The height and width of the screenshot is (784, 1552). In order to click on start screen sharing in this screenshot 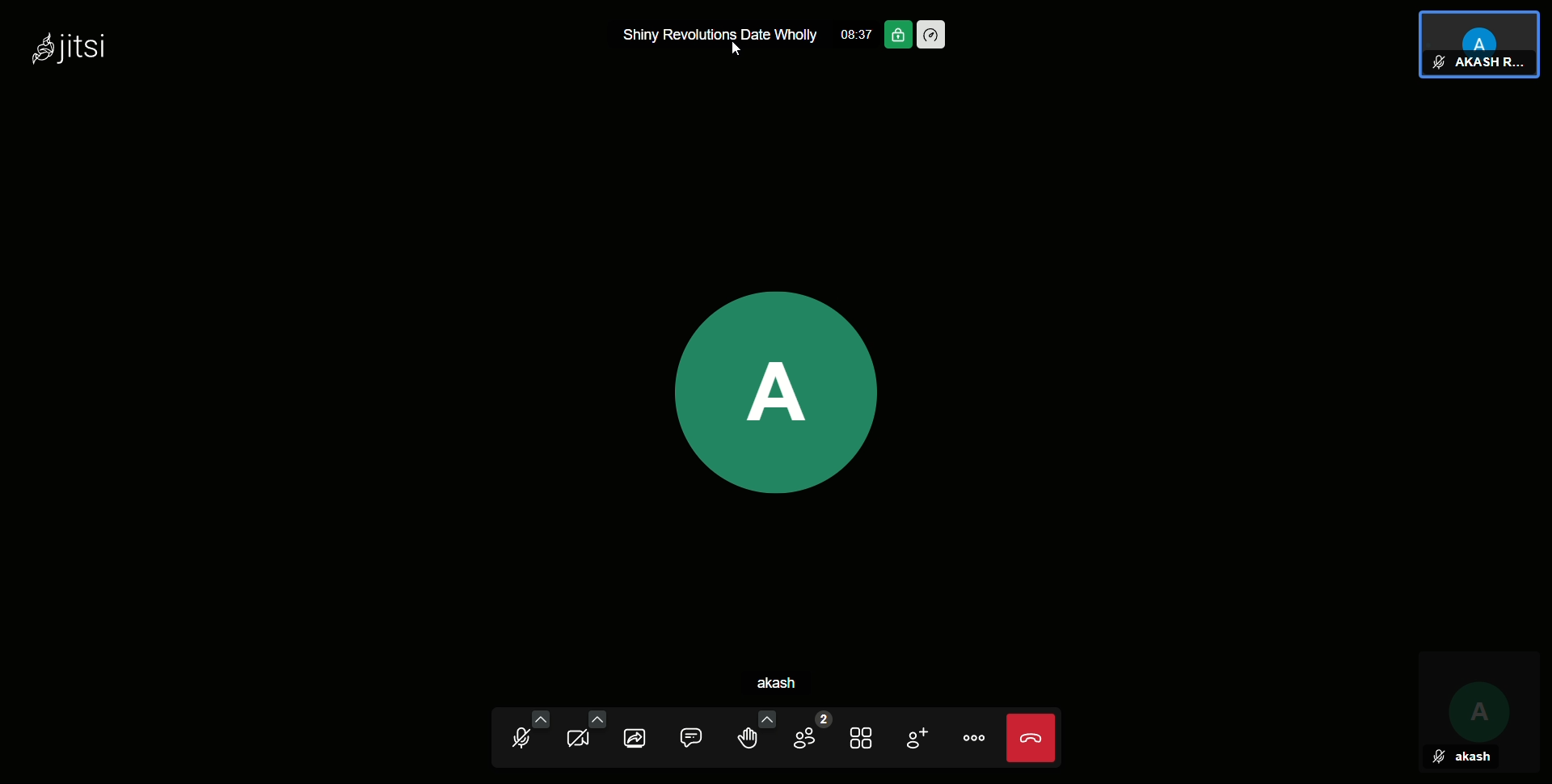, I will do `click(641, 736)`.